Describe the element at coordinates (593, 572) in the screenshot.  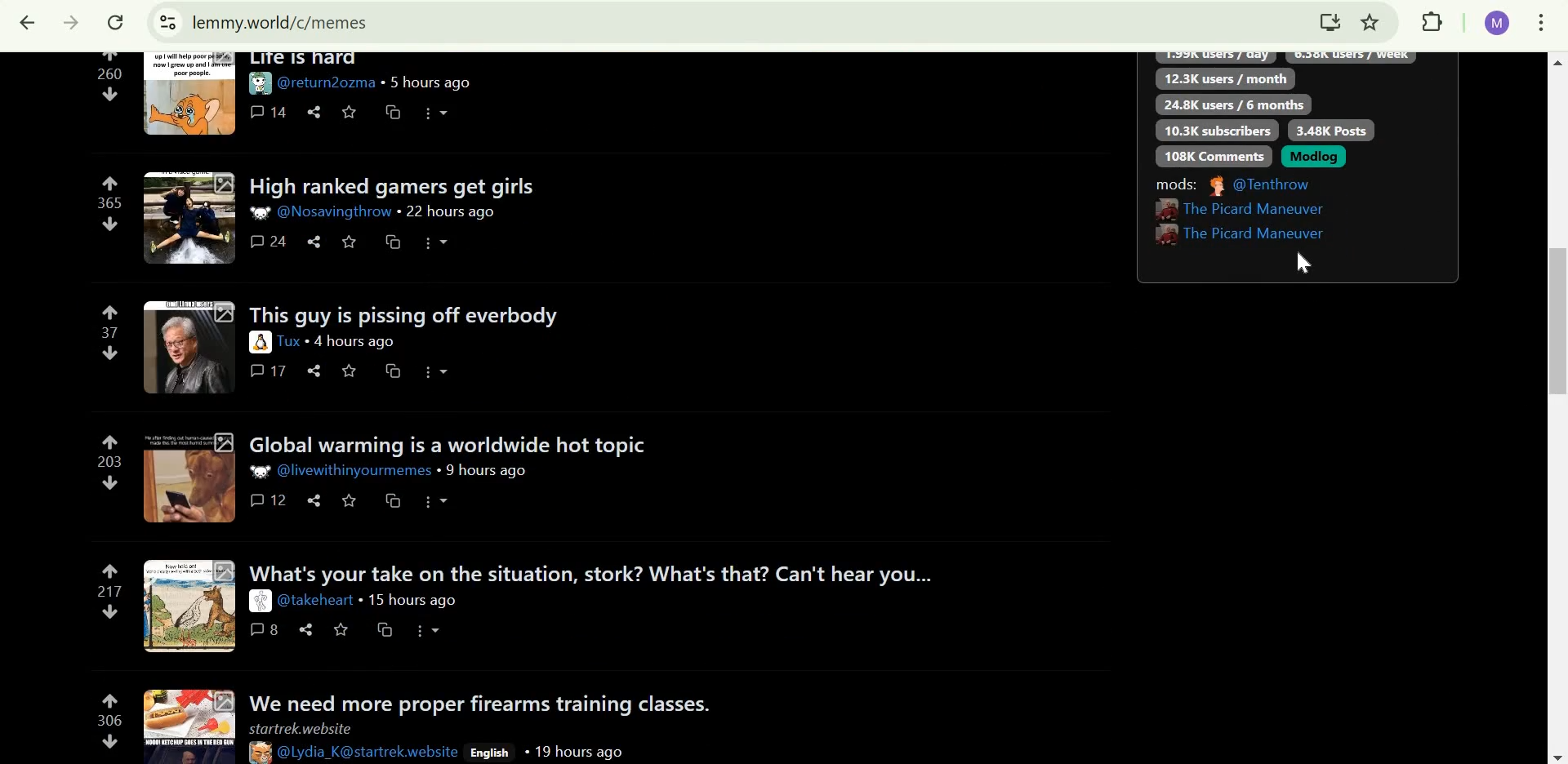
I see `what's your take on the situation, stork? What's that? Can't hear you...` at that location.